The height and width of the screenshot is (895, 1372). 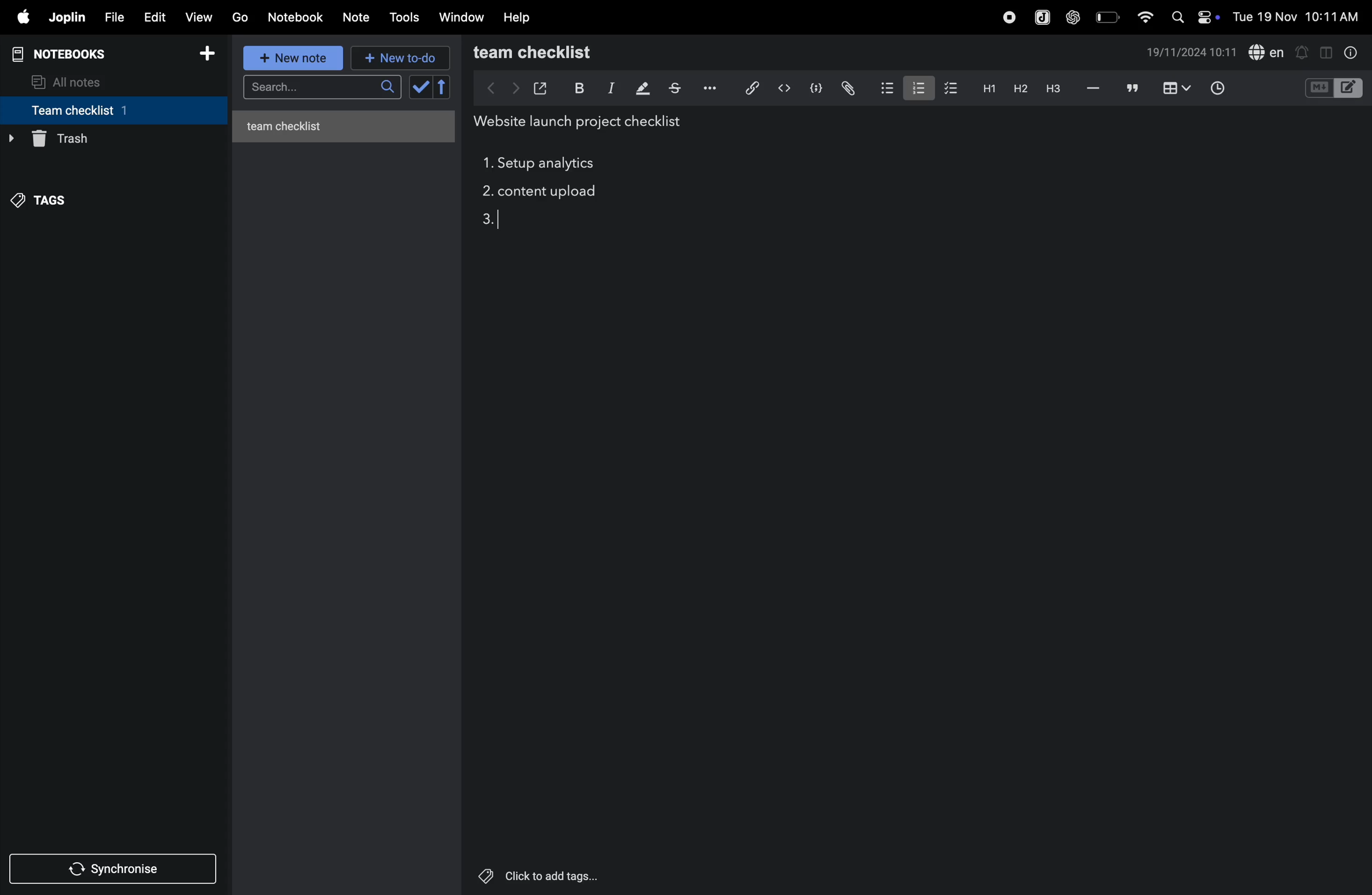 I want to click on strike through, so click(x=674, y=88).